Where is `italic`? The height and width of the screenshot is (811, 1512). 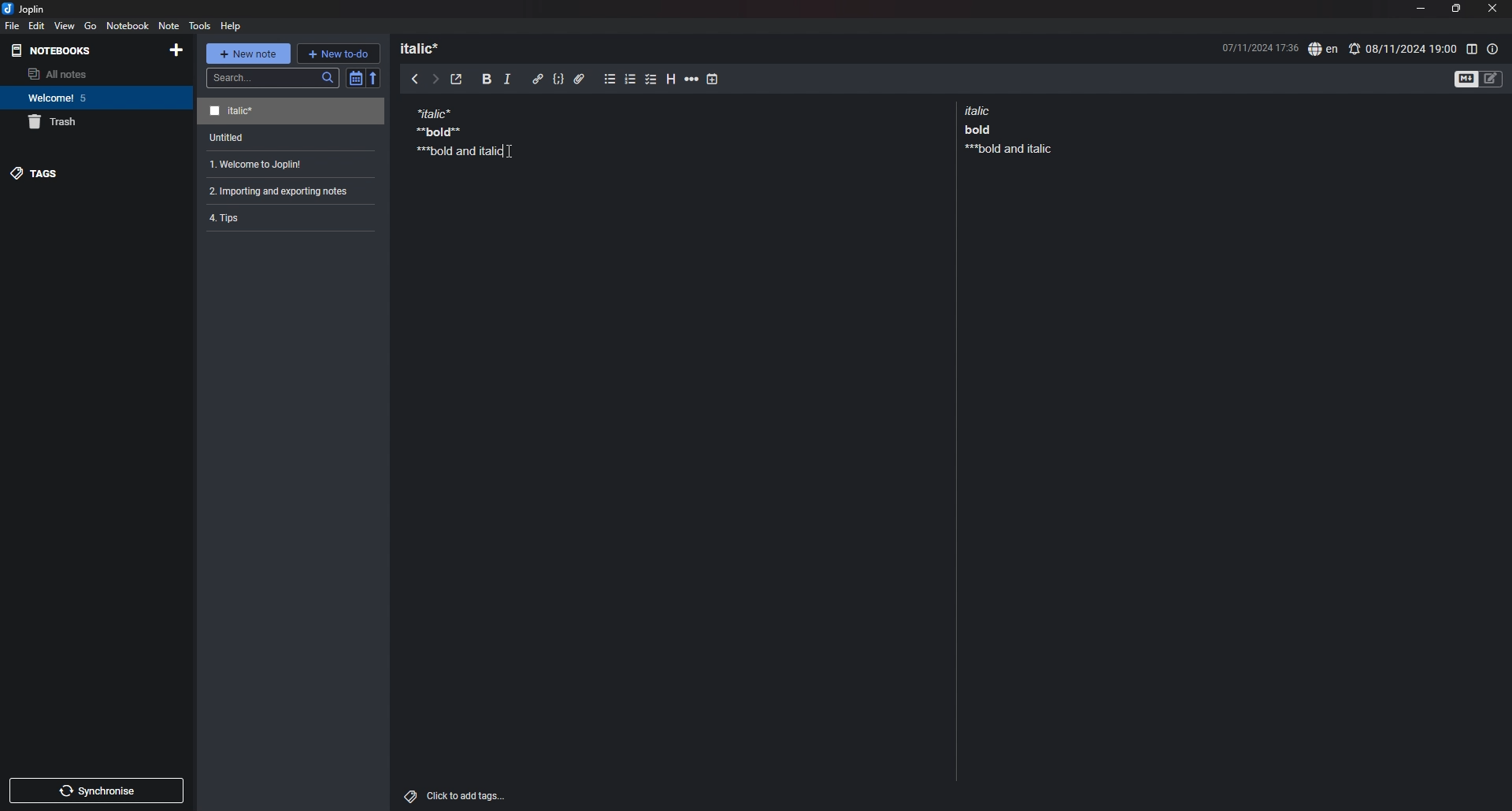 italic is located at coordinates (507, 82).